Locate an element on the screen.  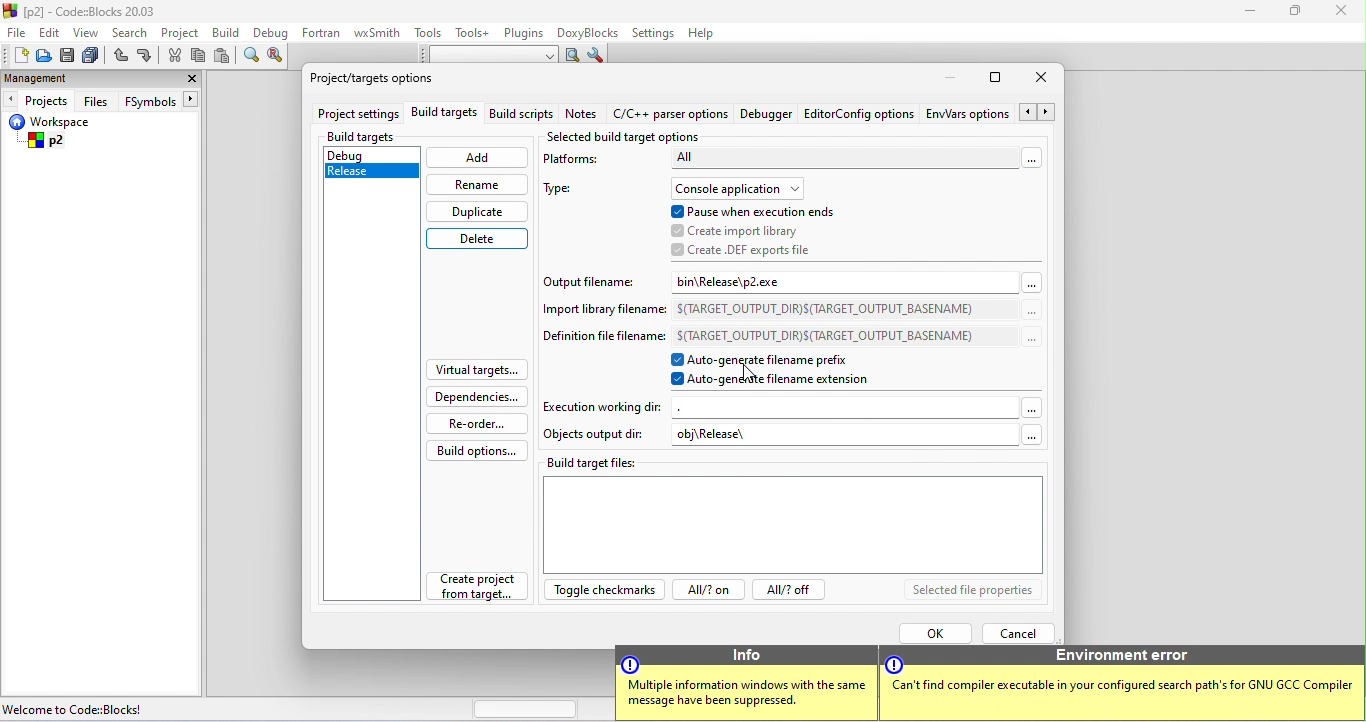
output file is located at coordinates (595, 280).